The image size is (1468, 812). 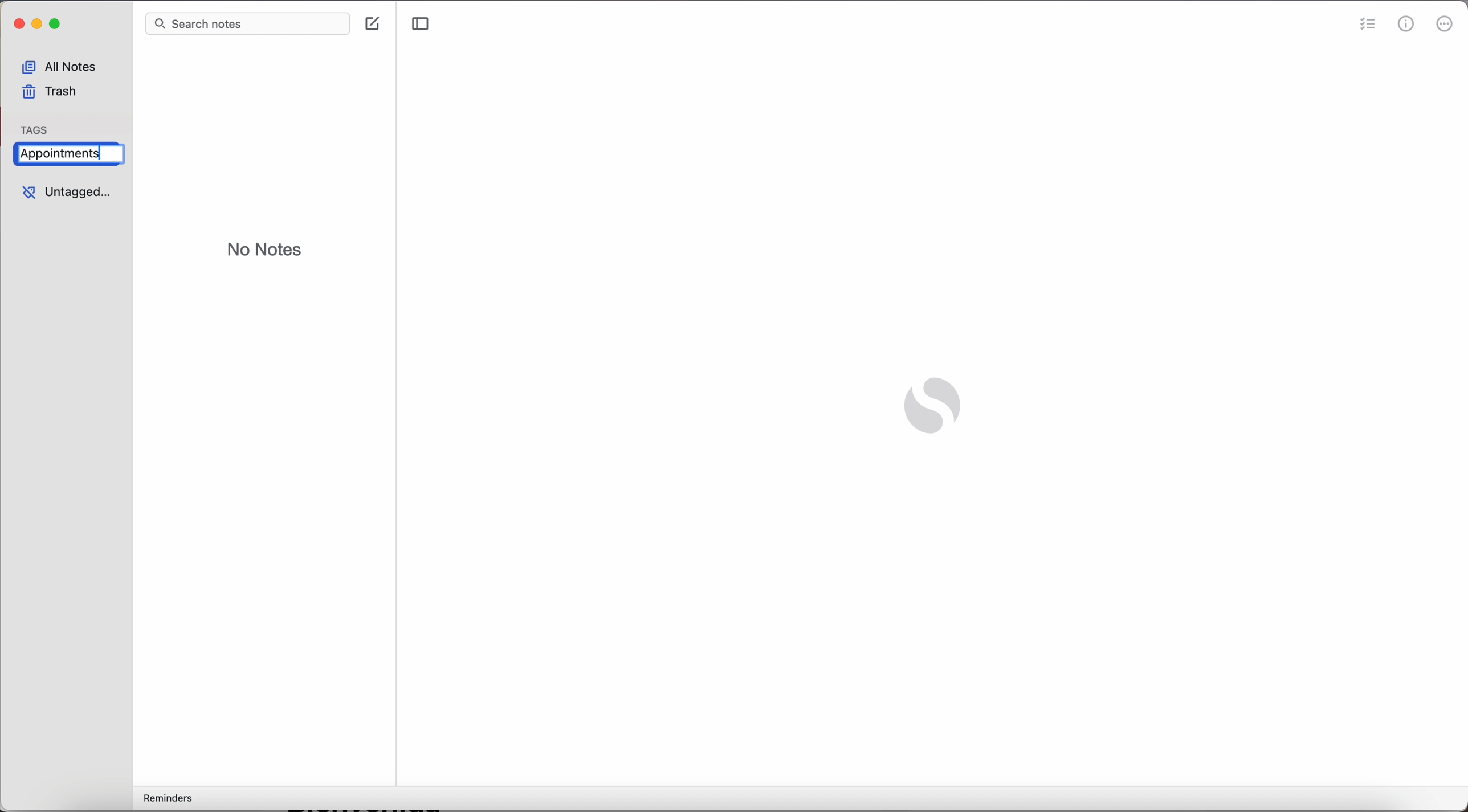 I want to click on check list, so click(x=1368, y=24).